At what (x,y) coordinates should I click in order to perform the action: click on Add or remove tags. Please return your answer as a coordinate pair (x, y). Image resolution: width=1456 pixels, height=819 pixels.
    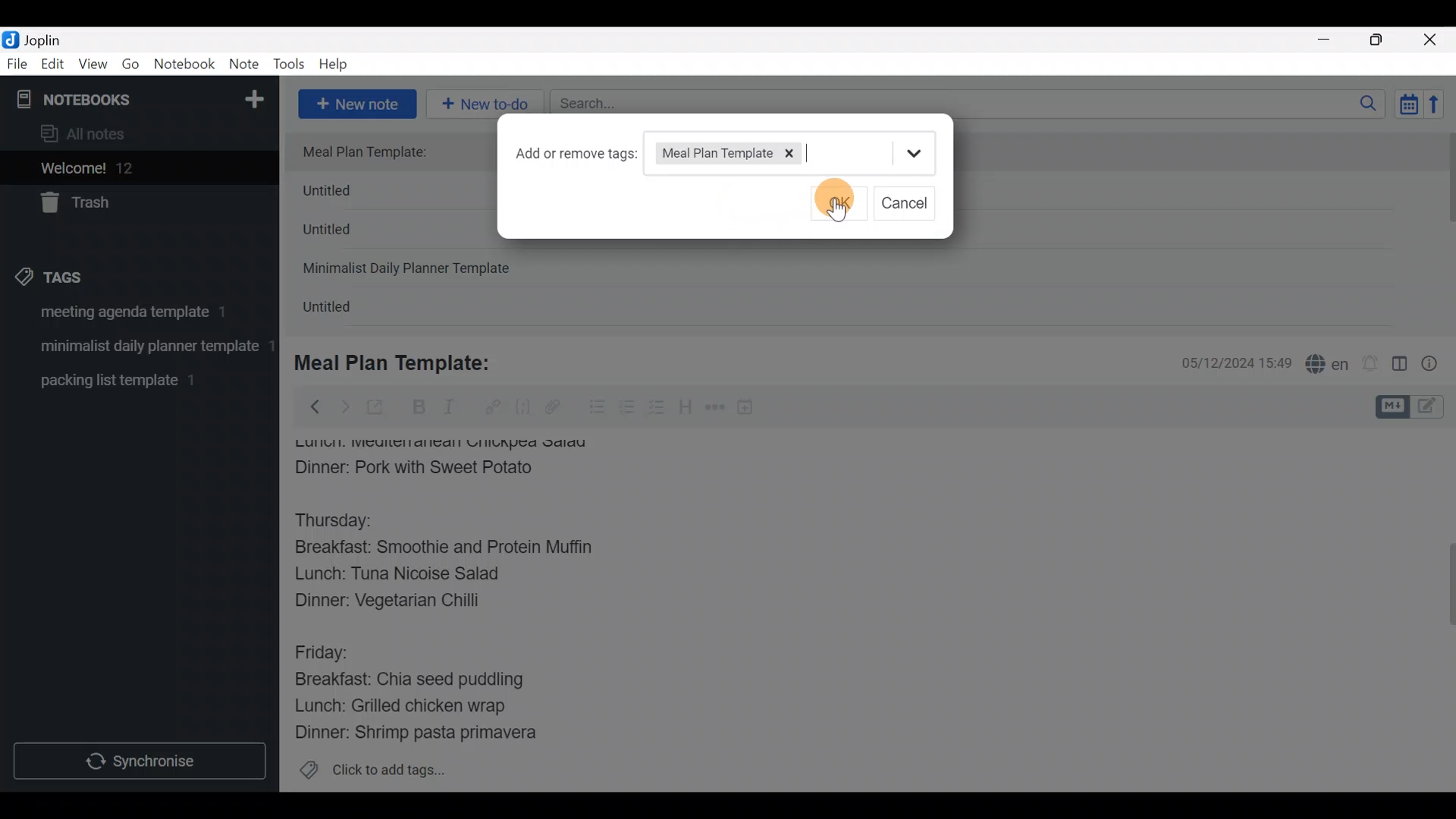
    Looking at the image, I should click on (573, 155).